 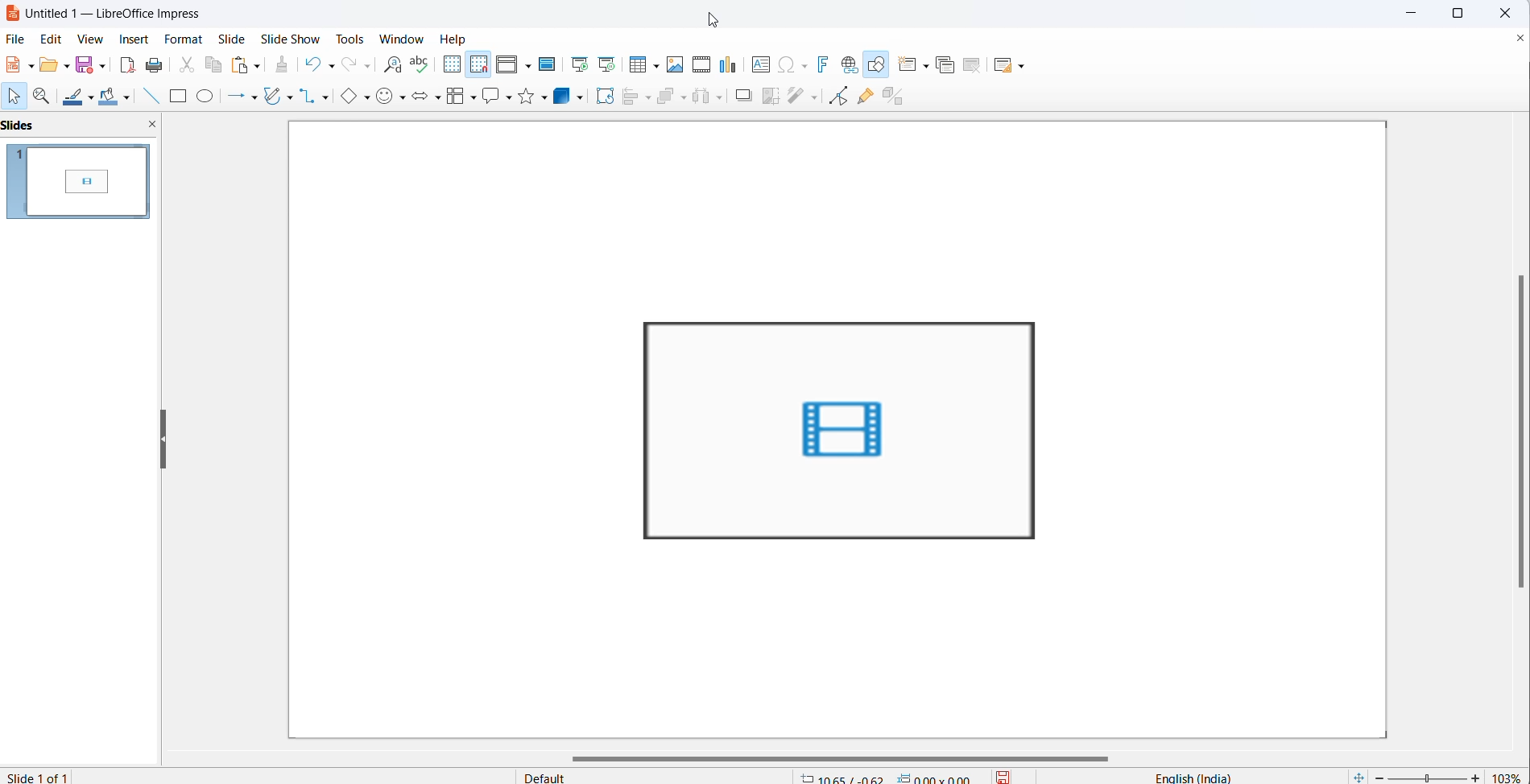 What do you see at coordinates (845, 431) in the screenshot?
I see `video file` at bounding box center [845, 431].